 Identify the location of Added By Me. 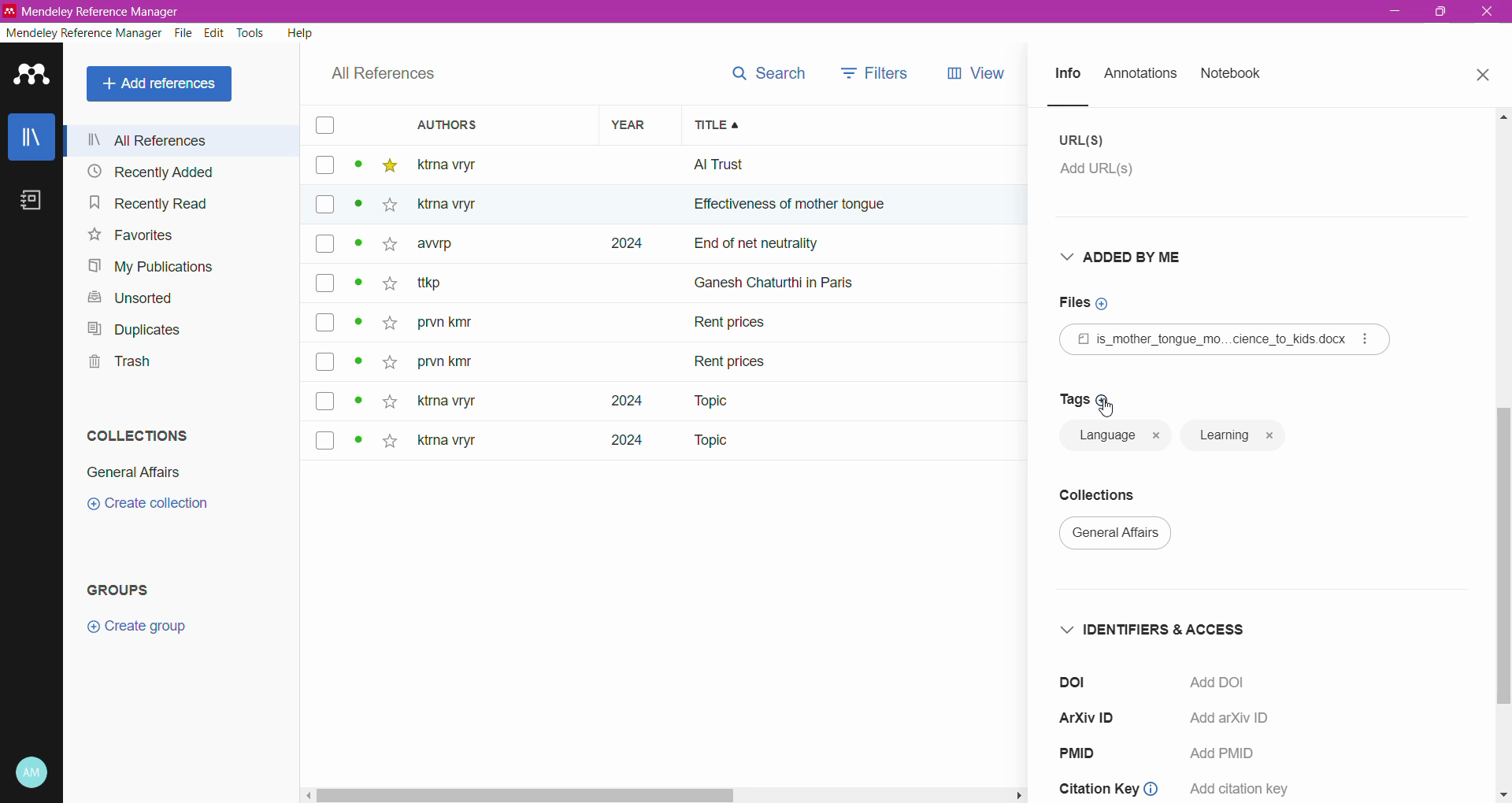
(1132, 257).